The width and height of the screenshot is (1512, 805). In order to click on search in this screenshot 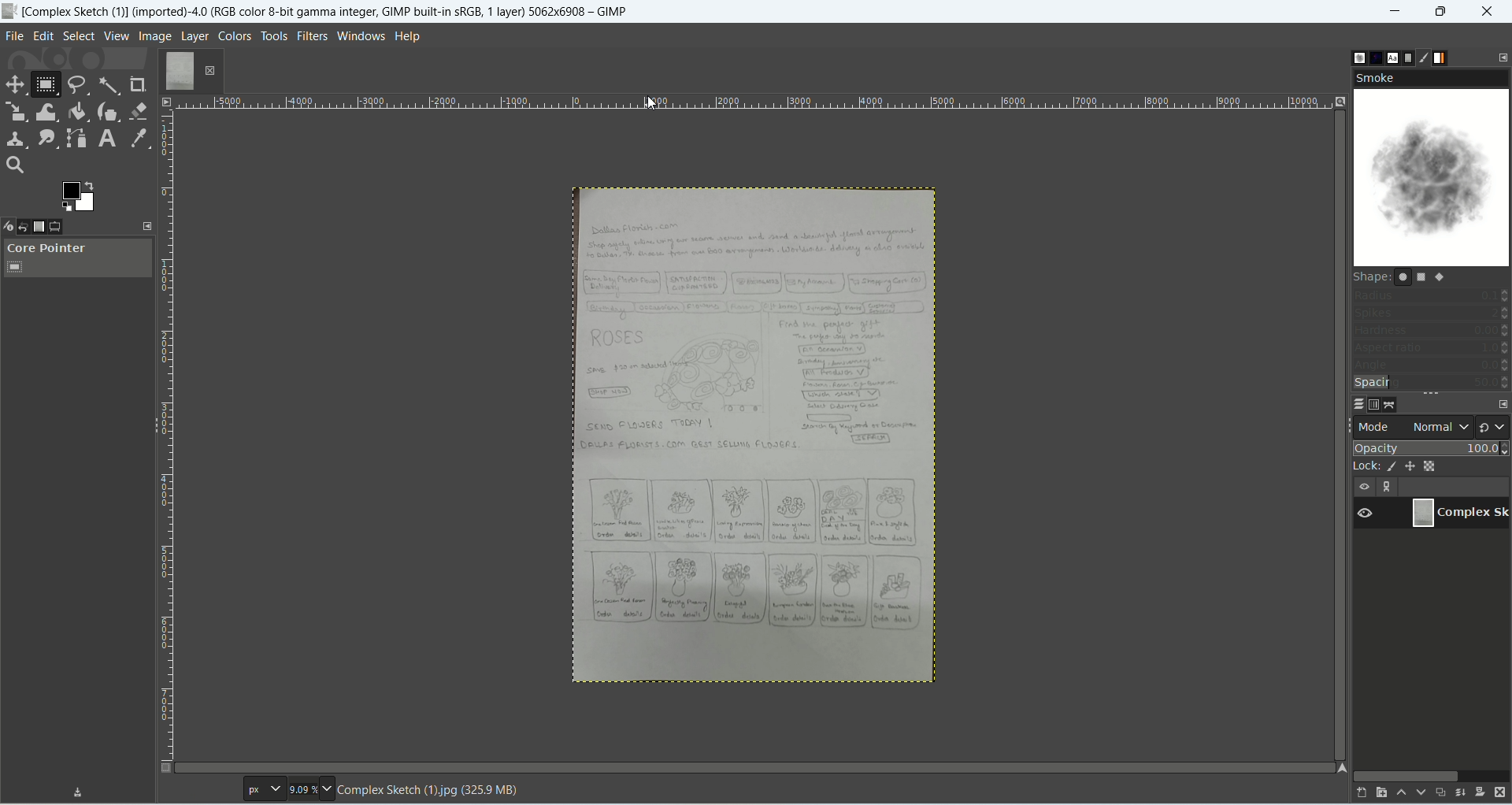, I will do `click(13, 165)`.